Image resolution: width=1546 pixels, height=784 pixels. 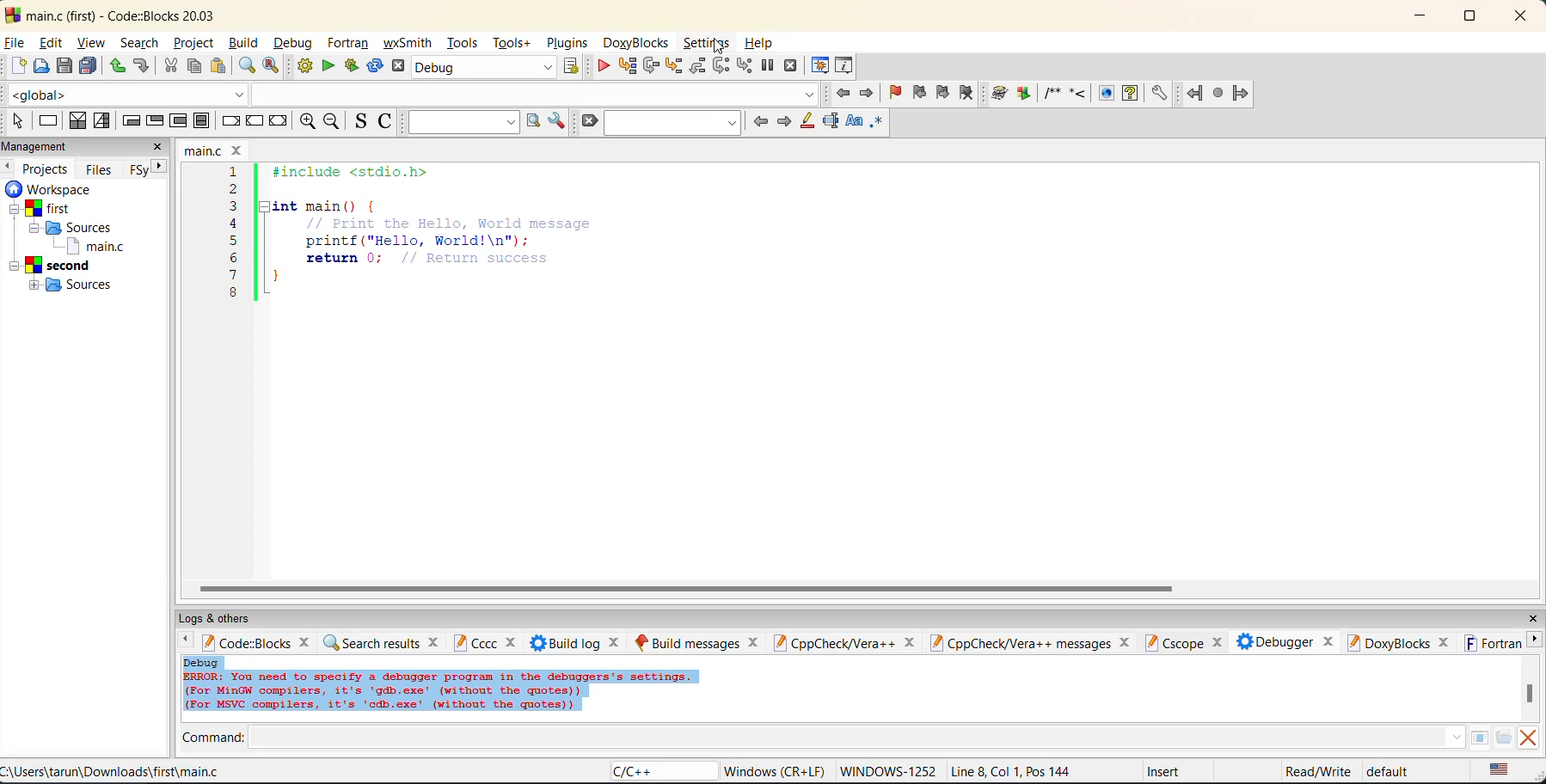 What do you see at coordinates (310, 122) in the screenshot?
I see `zoom in` at bounding box center [310, 122].